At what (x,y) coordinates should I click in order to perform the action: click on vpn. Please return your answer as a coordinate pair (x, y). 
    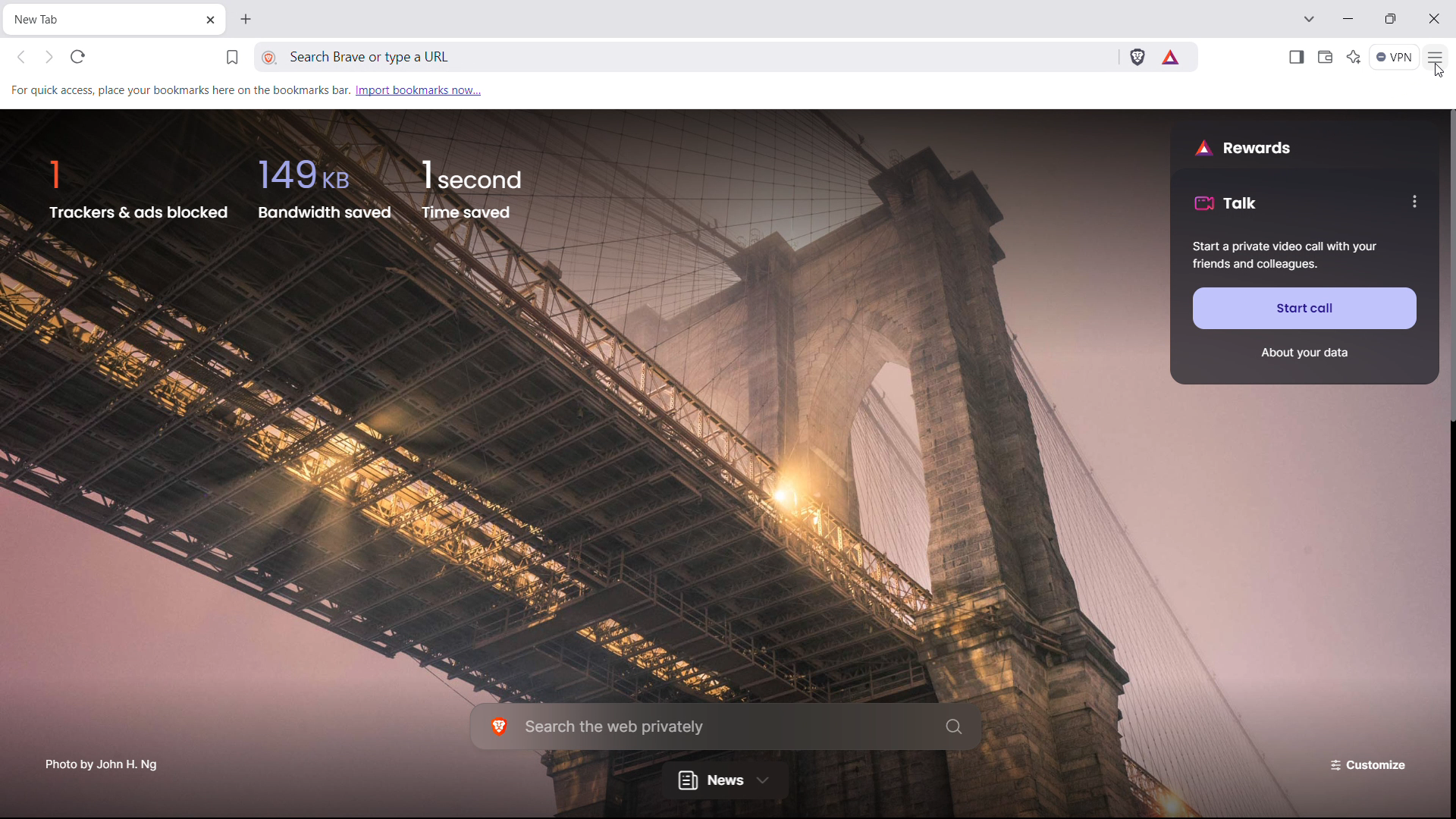
    Looking at the image, I should click on (1395, 56).